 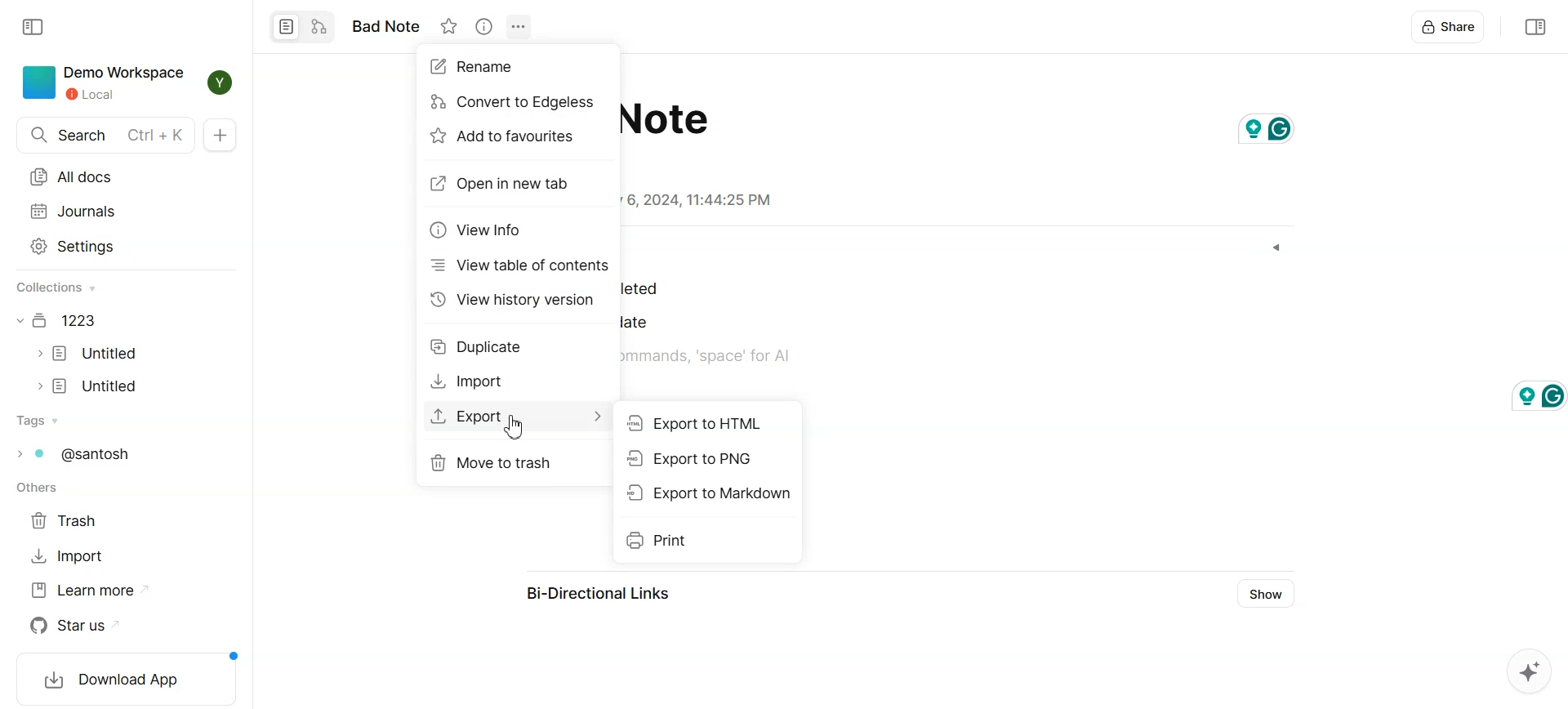 I want to click on Cursor, so click(x=515, y=427).